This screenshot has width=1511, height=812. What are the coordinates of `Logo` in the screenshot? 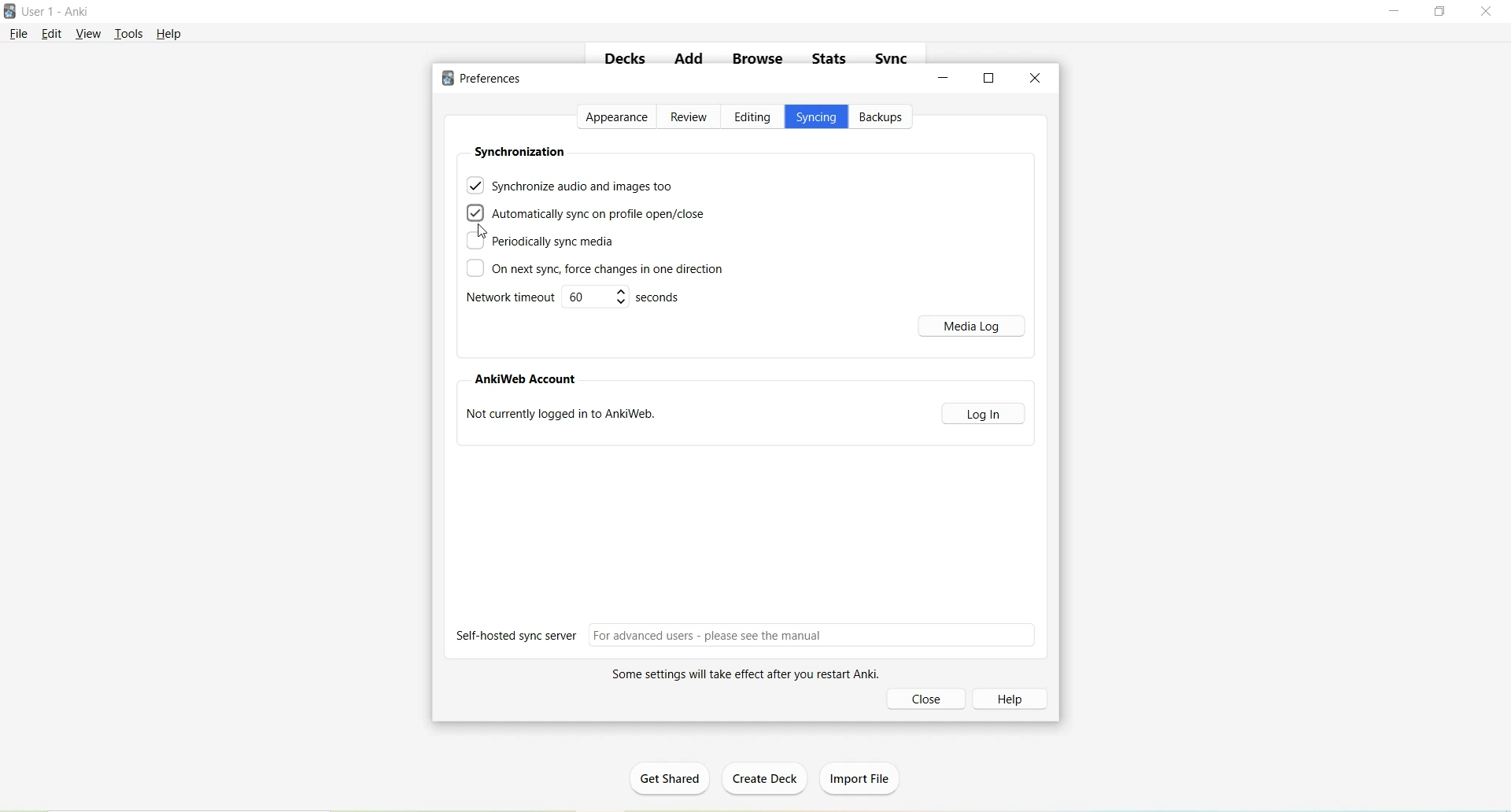 It's located at (12, 12).